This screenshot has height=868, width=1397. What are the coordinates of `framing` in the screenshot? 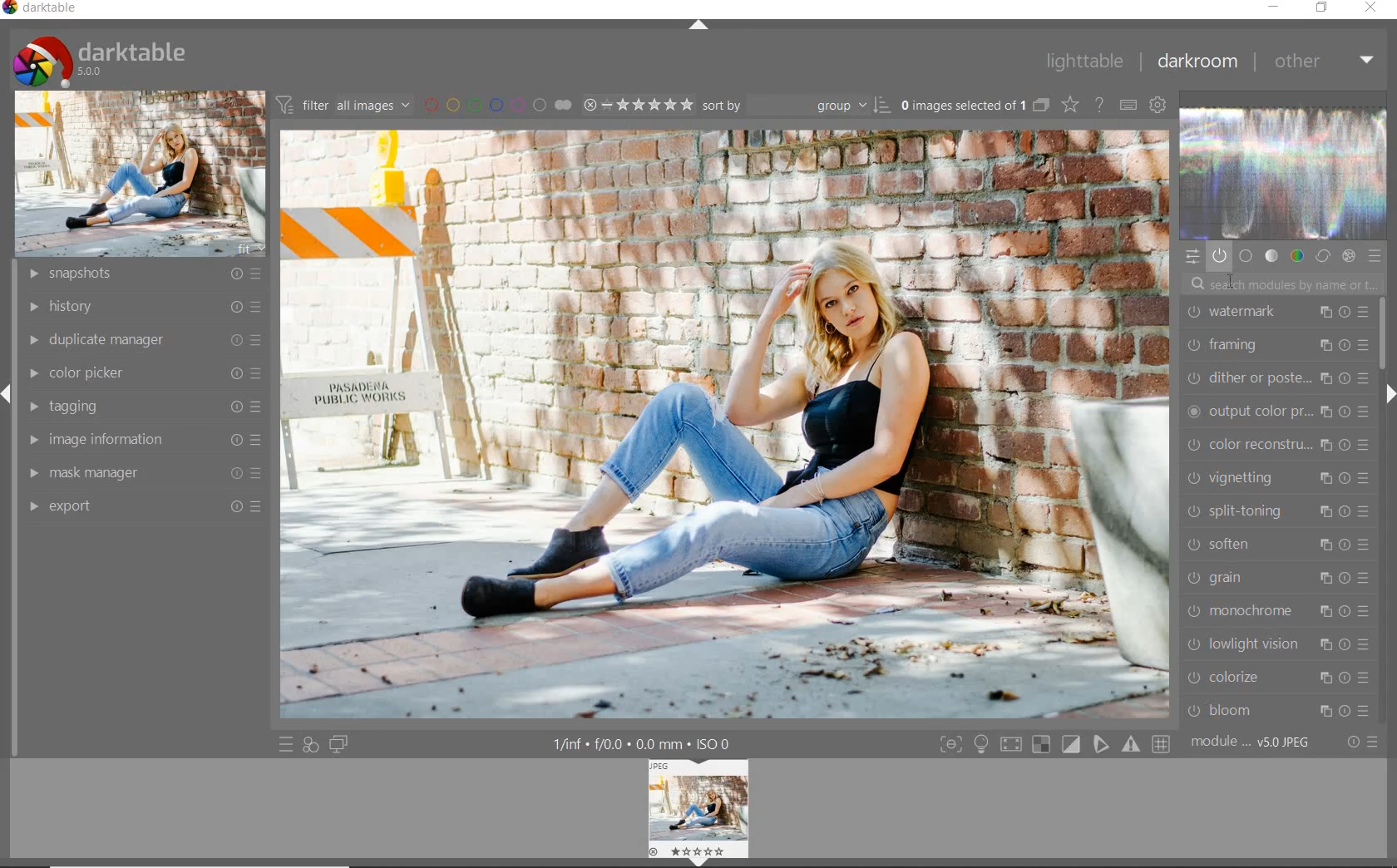 It's located at (1274, 345).